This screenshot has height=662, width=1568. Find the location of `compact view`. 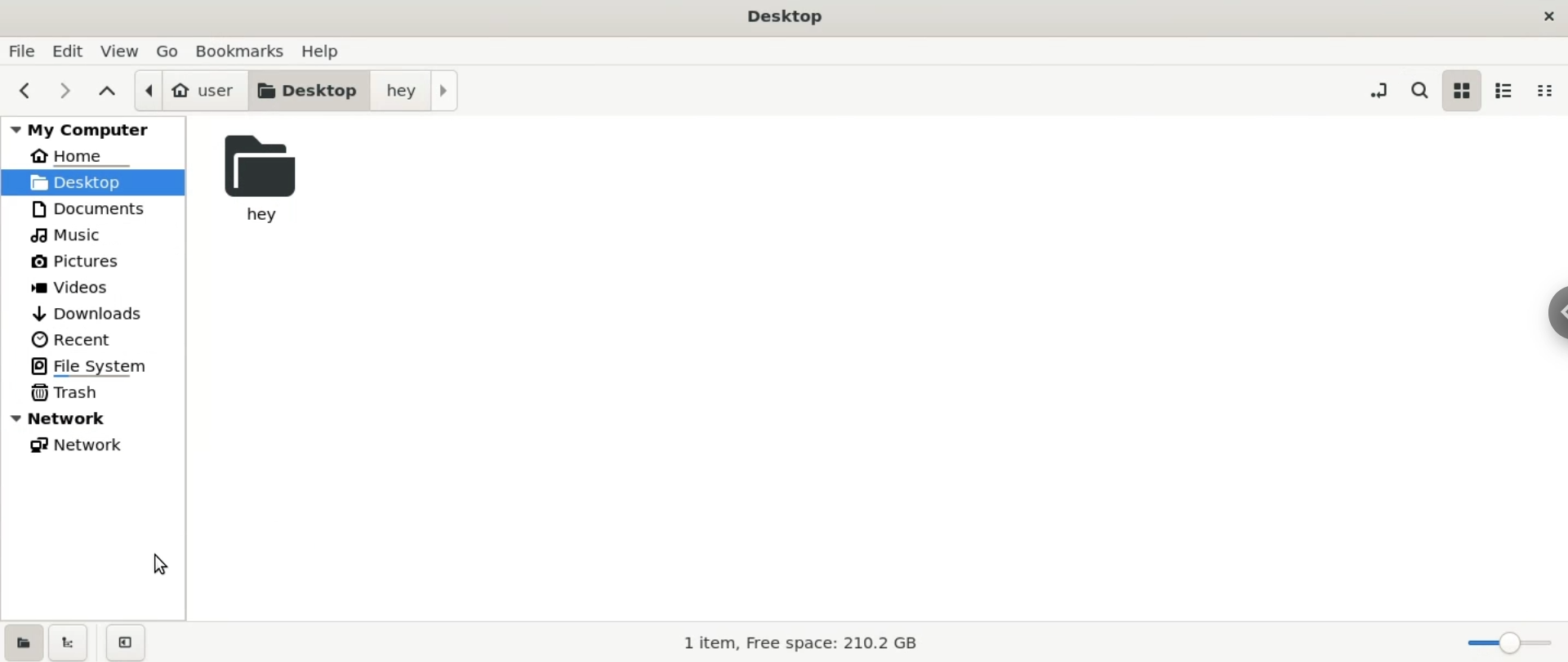

compact view is located at coordinates (1549, 94).